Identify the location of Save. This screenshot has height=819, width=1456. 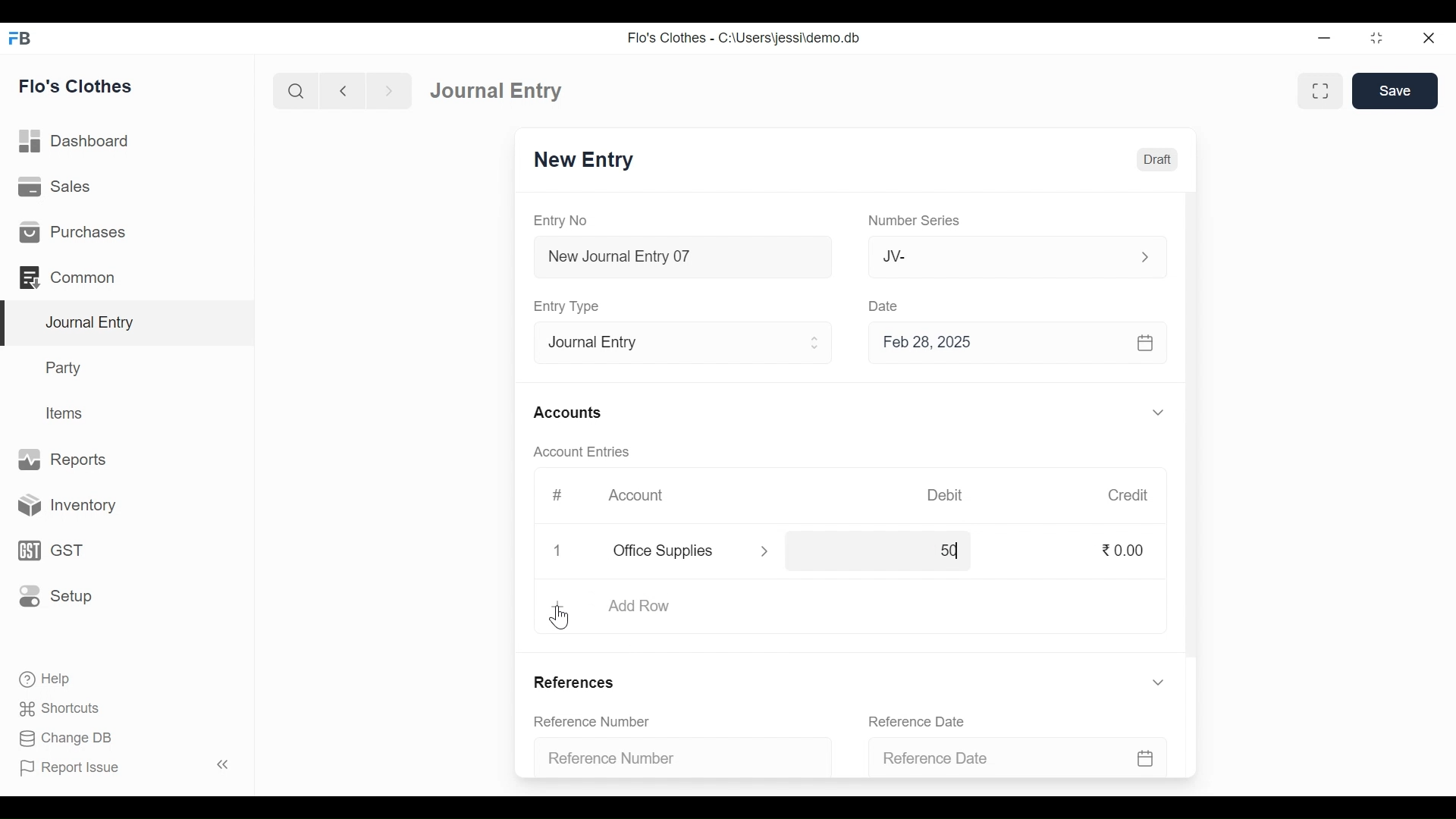
(1395, 90).